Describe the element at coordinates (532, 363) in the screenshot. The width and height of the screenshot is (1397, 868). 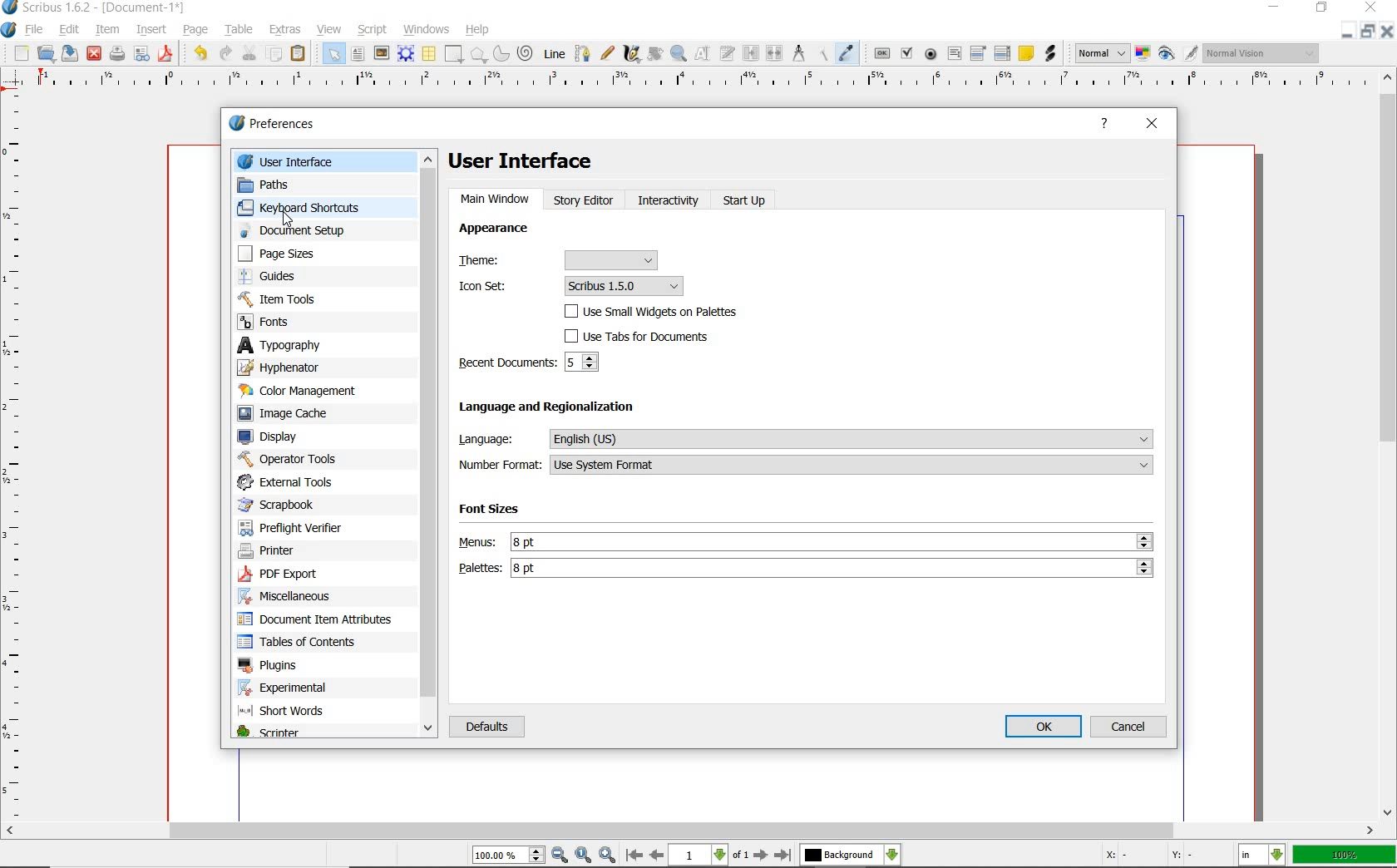
I see `recent documents` at that location.